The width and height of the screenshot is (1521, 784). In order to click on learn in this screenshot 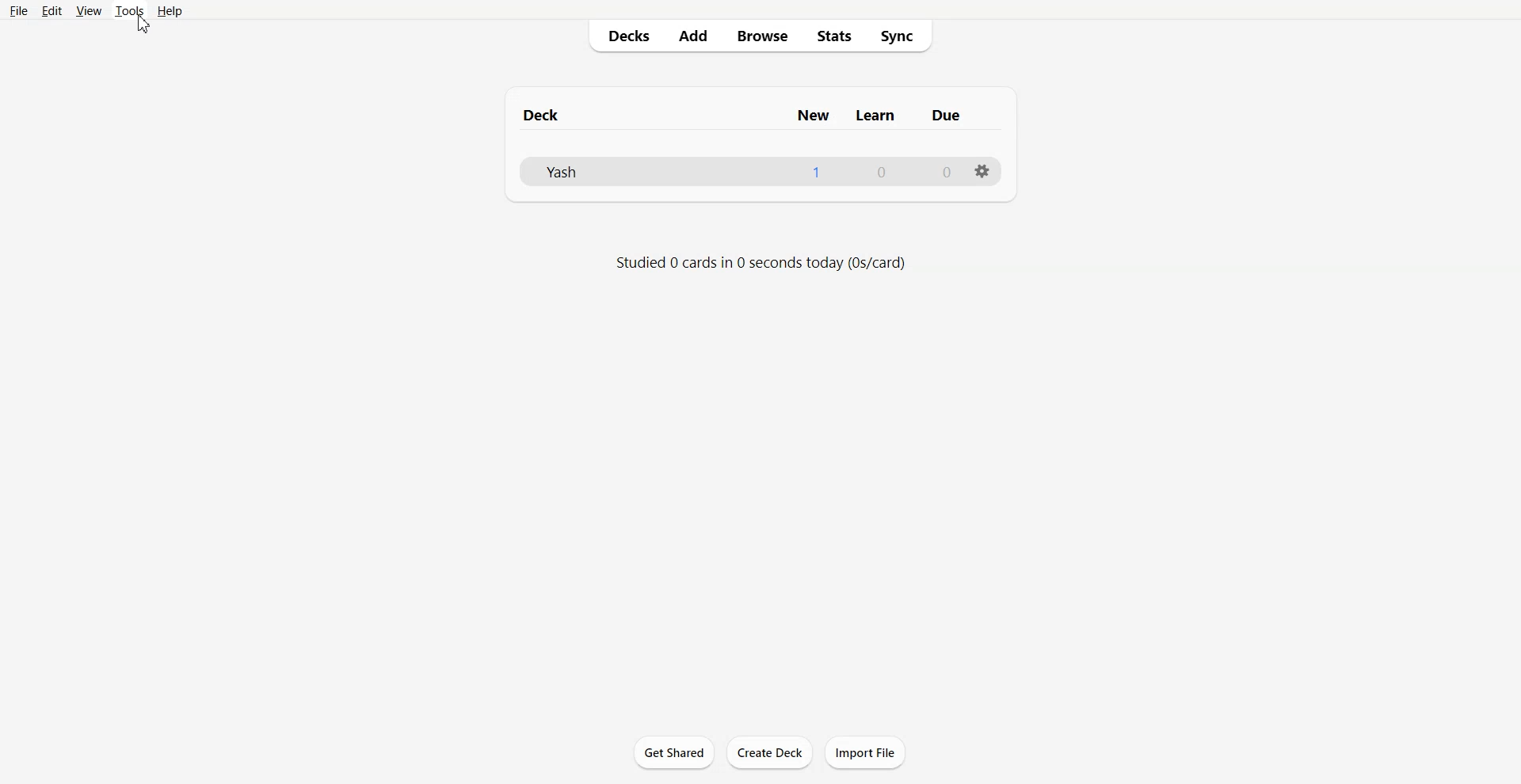, I will do `click(876, 115)`.